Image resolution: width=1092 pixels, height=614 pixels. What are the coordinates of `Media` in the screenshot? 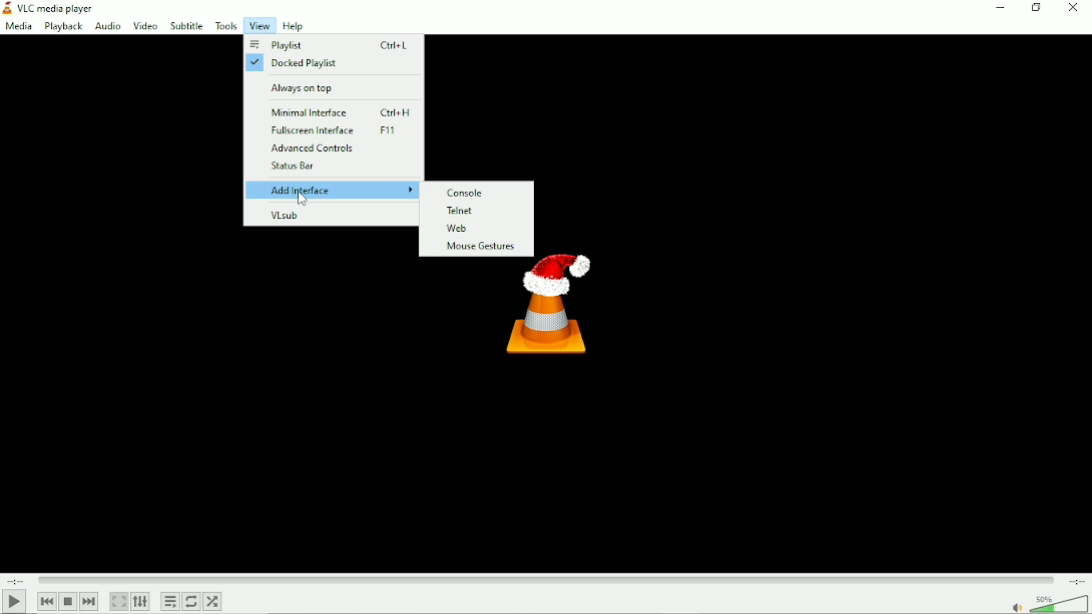 It's located at (19, 26).